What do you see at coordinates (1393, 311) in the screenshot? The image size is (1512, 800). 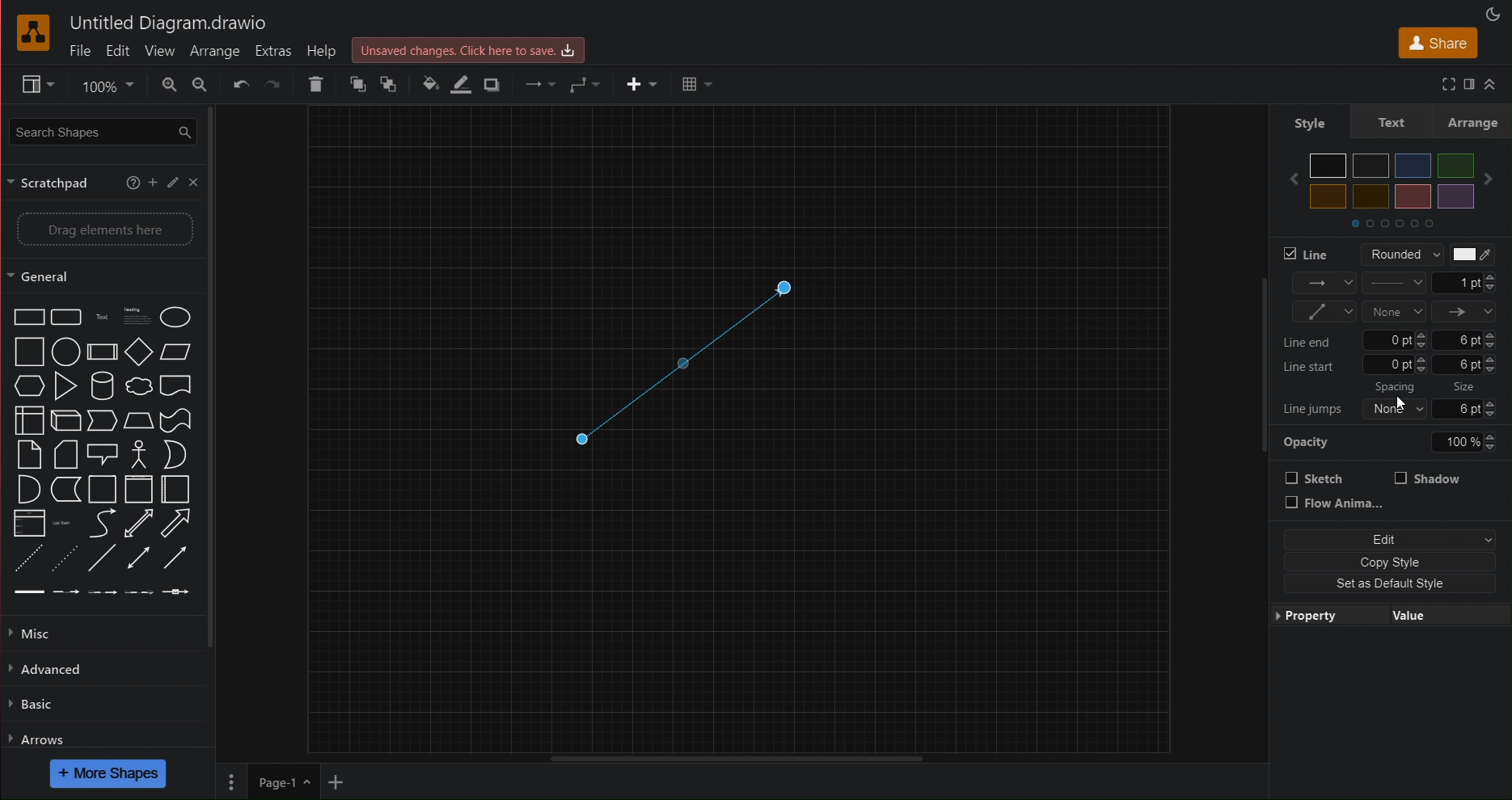 I see `None` at bounding box center [1393, 311].